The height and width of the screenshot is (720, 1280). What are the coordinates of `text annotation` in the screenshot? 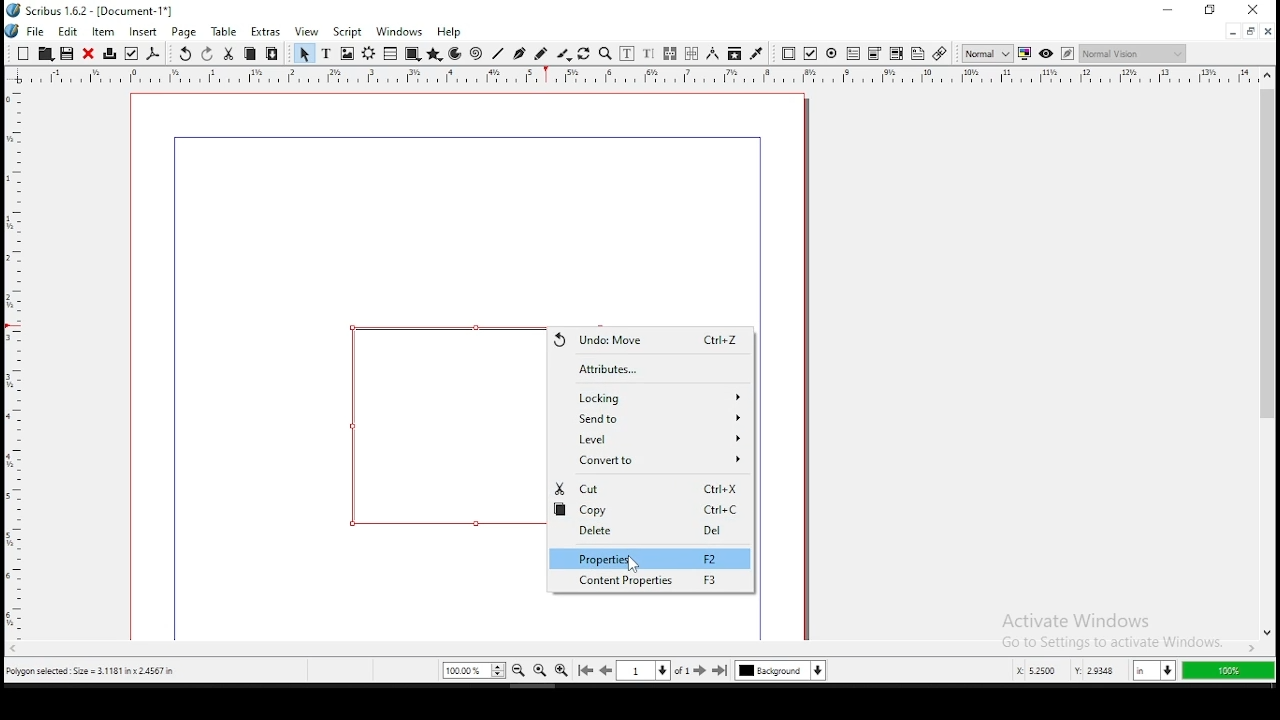 It's located at (918, 53).